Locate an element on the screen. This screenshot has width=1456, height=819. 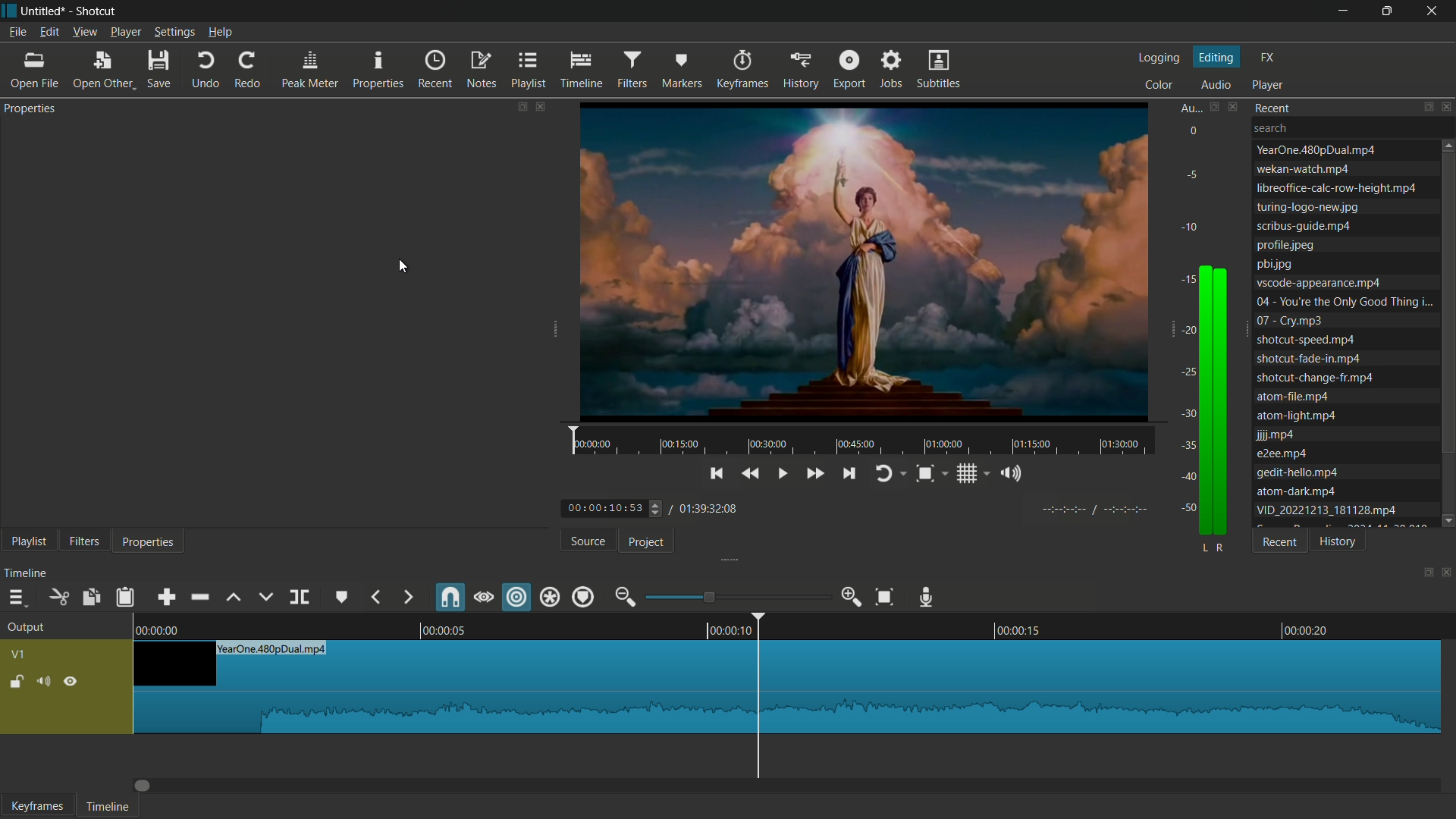
current time is located at coordinates (615, 509).